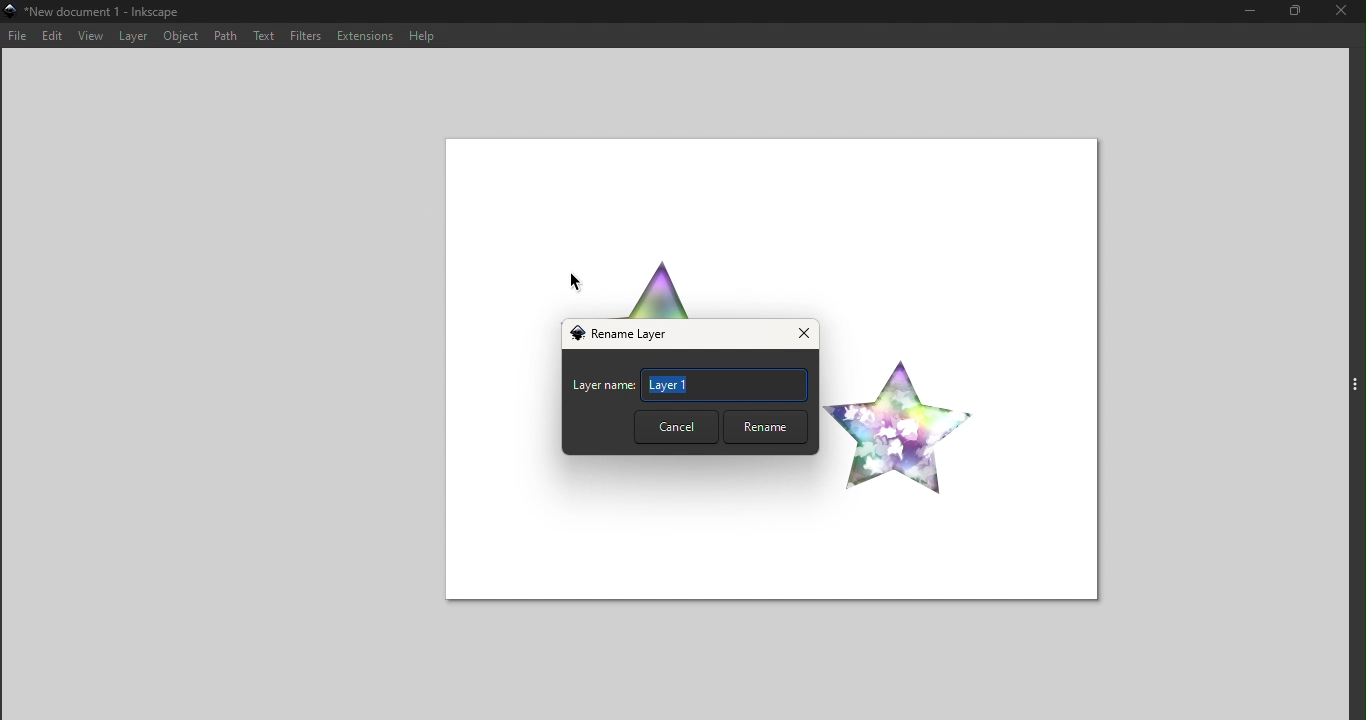 This screenshot has width=1366, height=720. Describe the element at coordinates (1345, 13) in the screenshot. I see `close` at that location.